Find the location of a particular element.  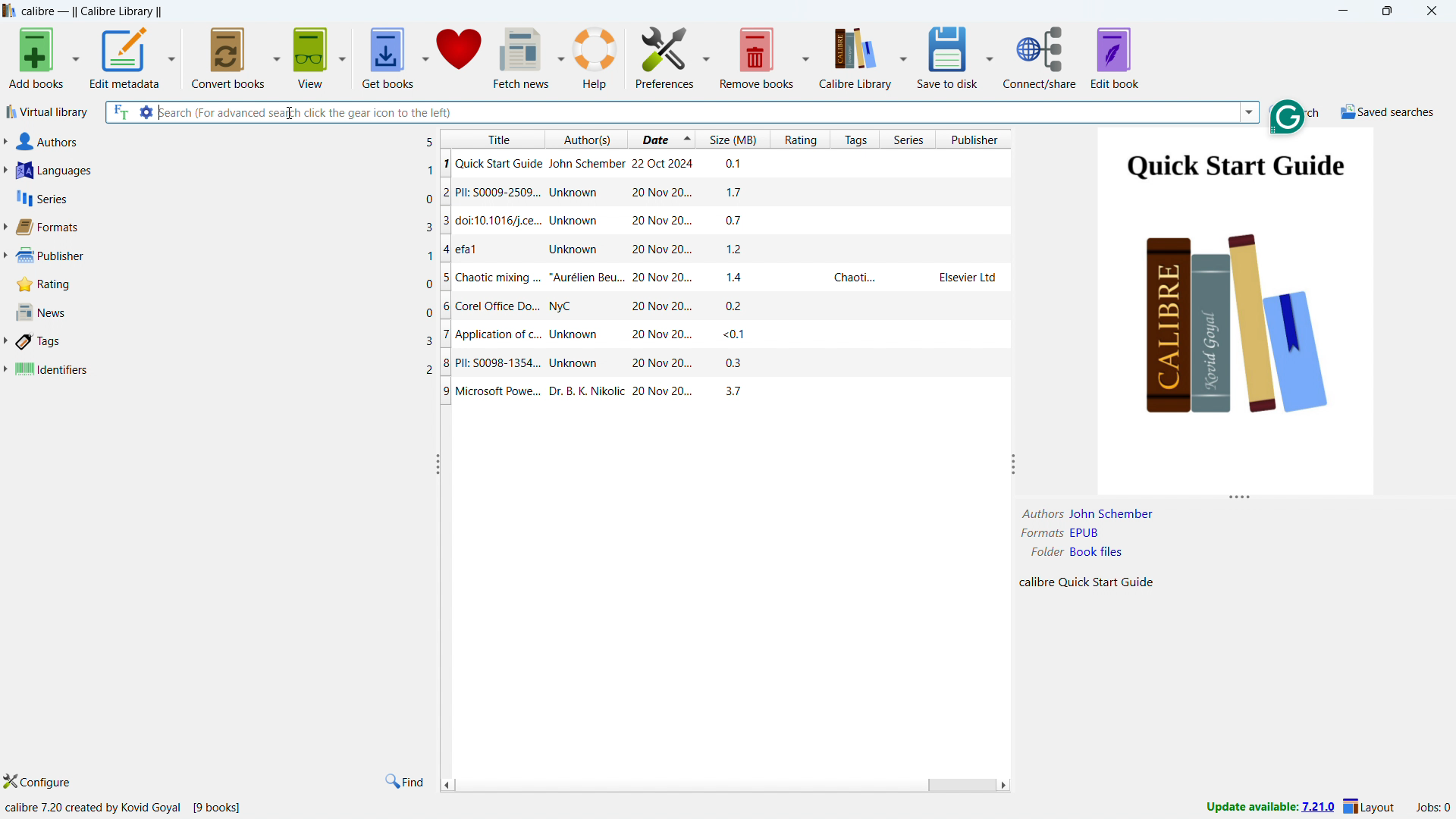

Folder is located at coordinates (1037, 555).